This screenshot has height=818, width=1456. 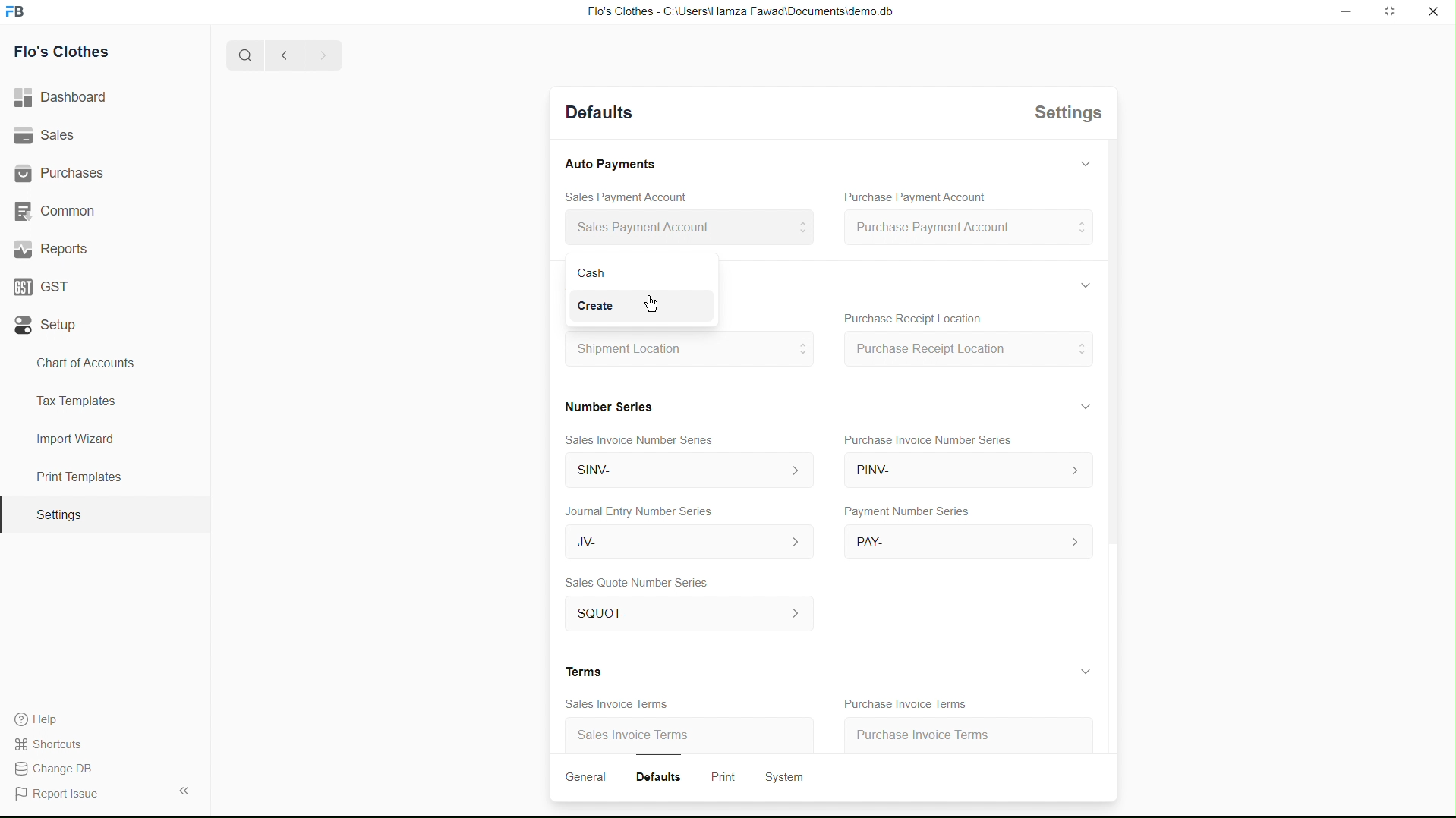 I want to click on Detaults, so click(x=600, y=112).